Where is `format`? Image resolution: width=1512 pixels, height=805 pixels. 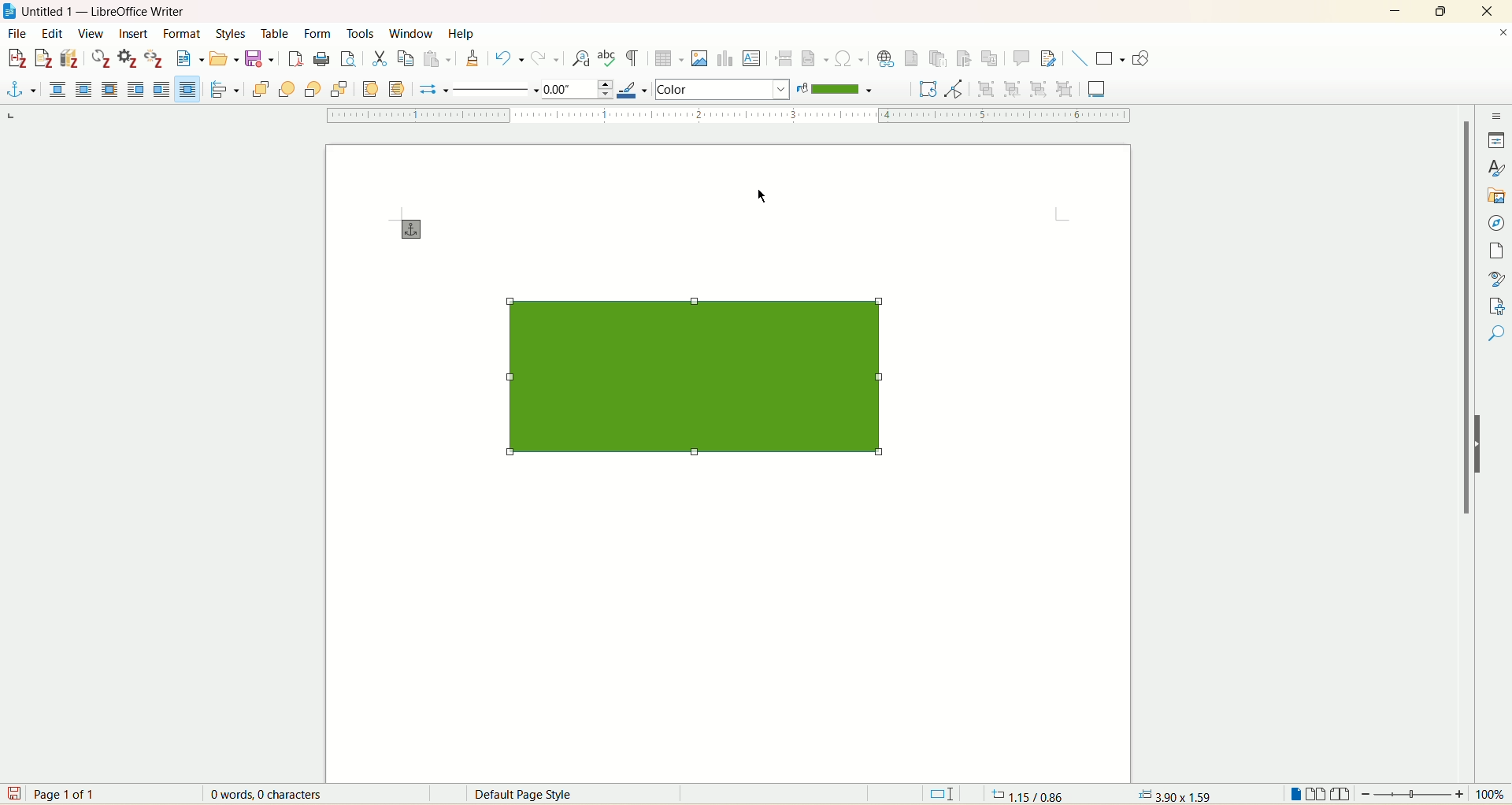
format is located at coordinates (183, 33).